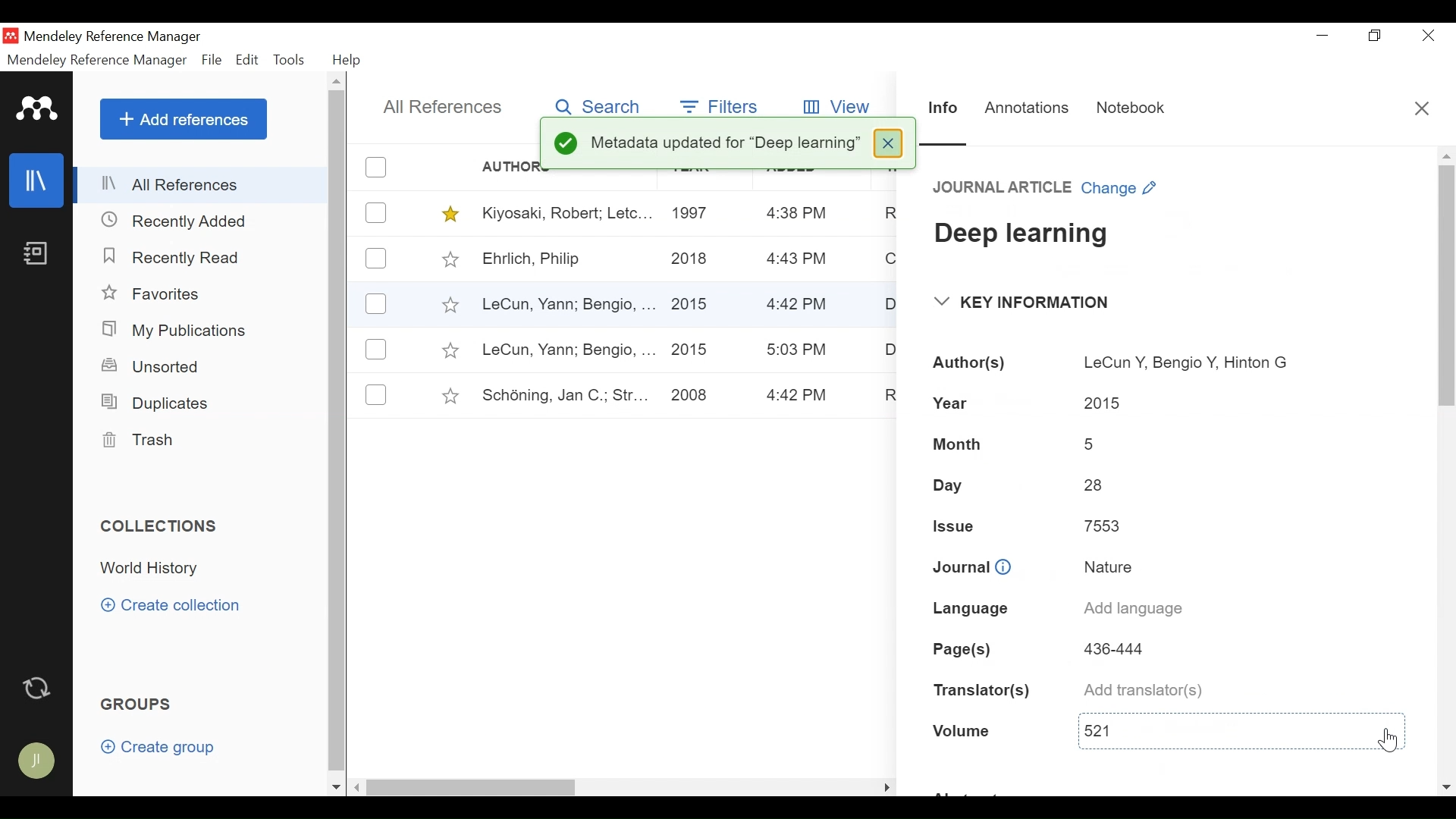  What do you see at coordinates (449, 350) in the screenshot?
I see `Toggle Favorites` at bounding box center [449, 350].